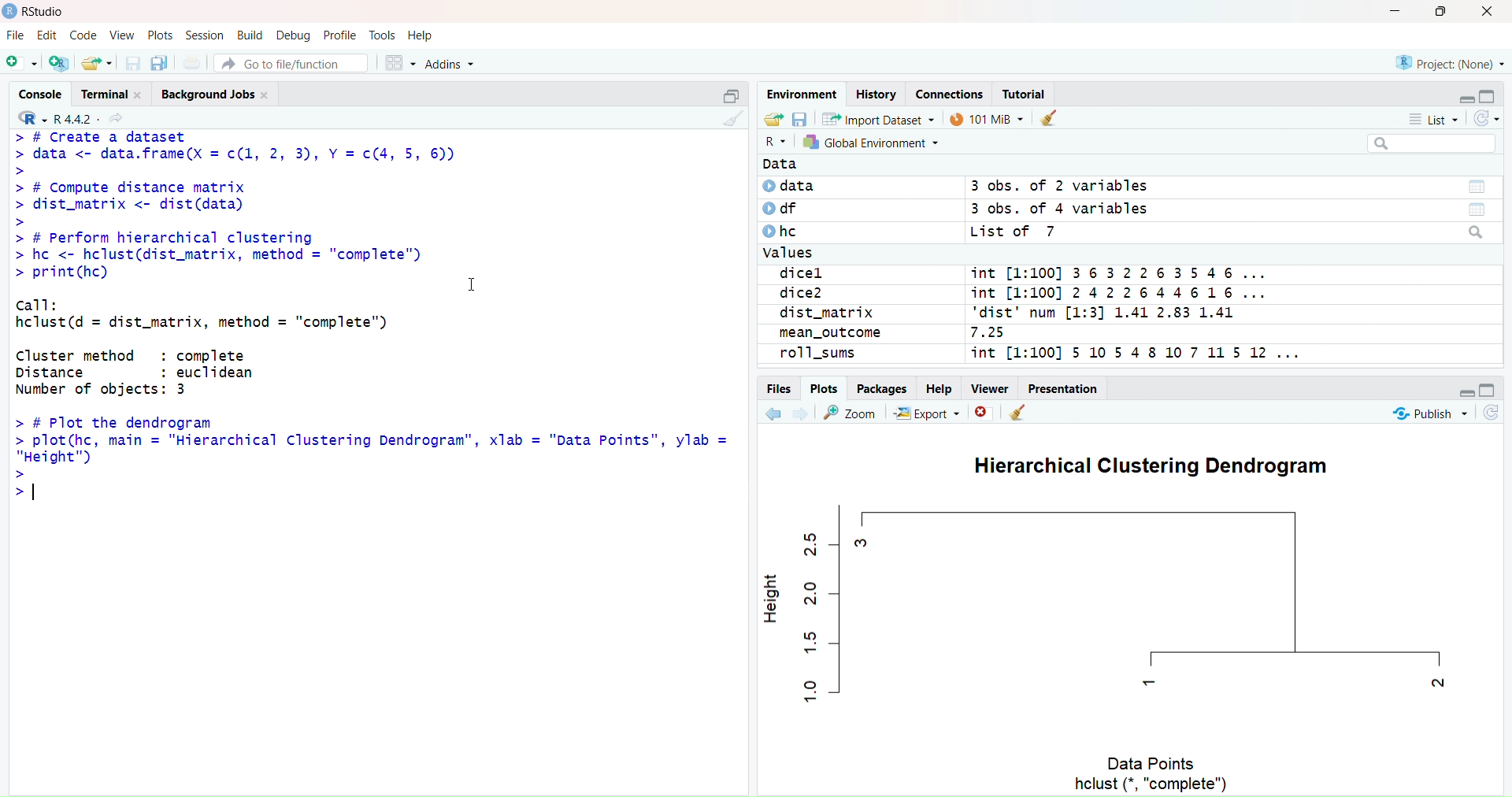 The image size is (1512, 797). I want to click on Help, so click(421, 36).